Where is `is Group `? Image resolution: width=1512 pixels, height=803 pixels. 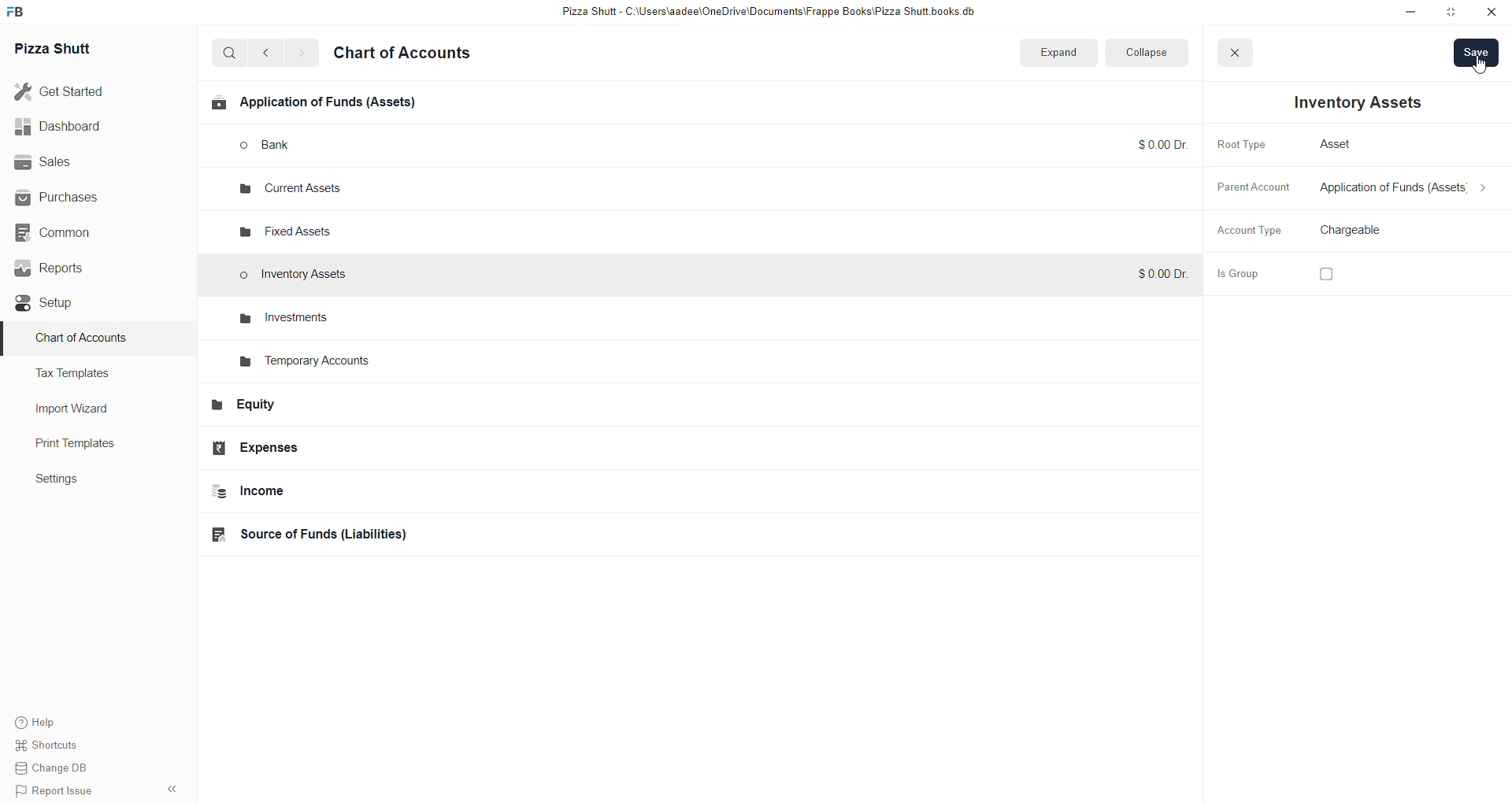
is Group  is located at coordinates (1243, 276).